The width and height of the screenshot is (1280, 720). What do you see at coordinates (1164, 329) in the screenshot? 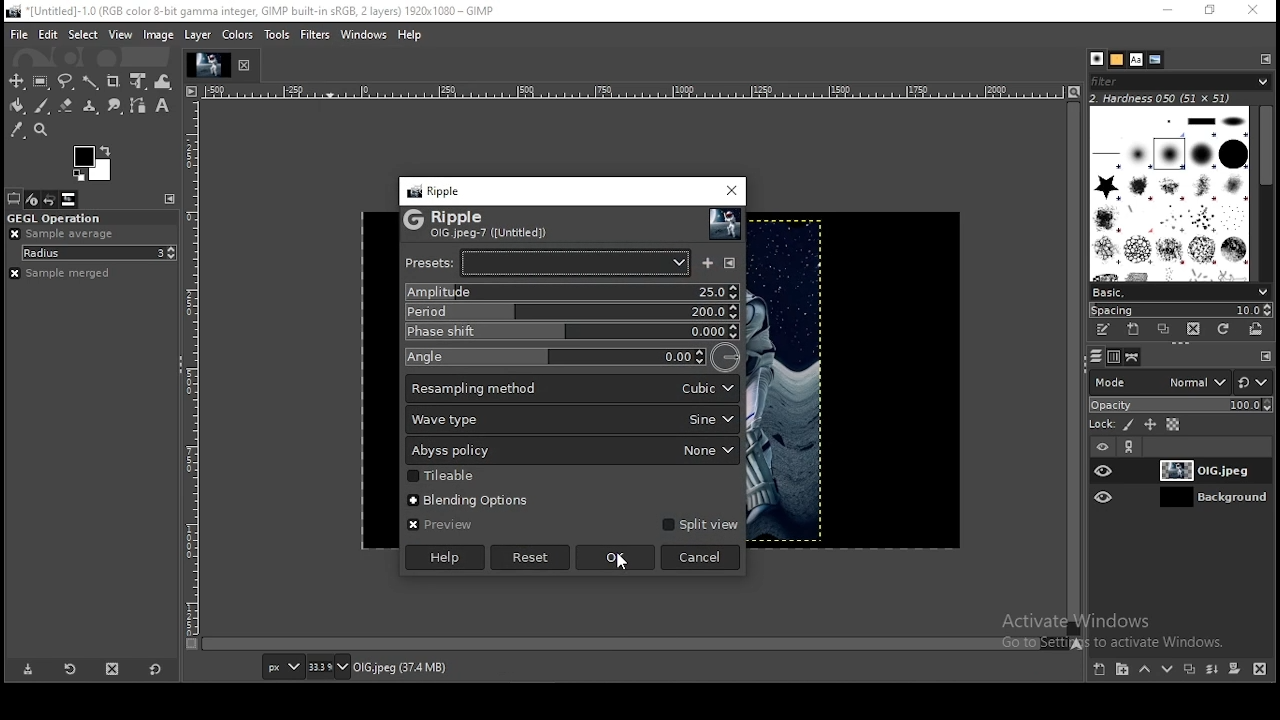
I see `duplicate this brush` at bounding box center [1164, 329].